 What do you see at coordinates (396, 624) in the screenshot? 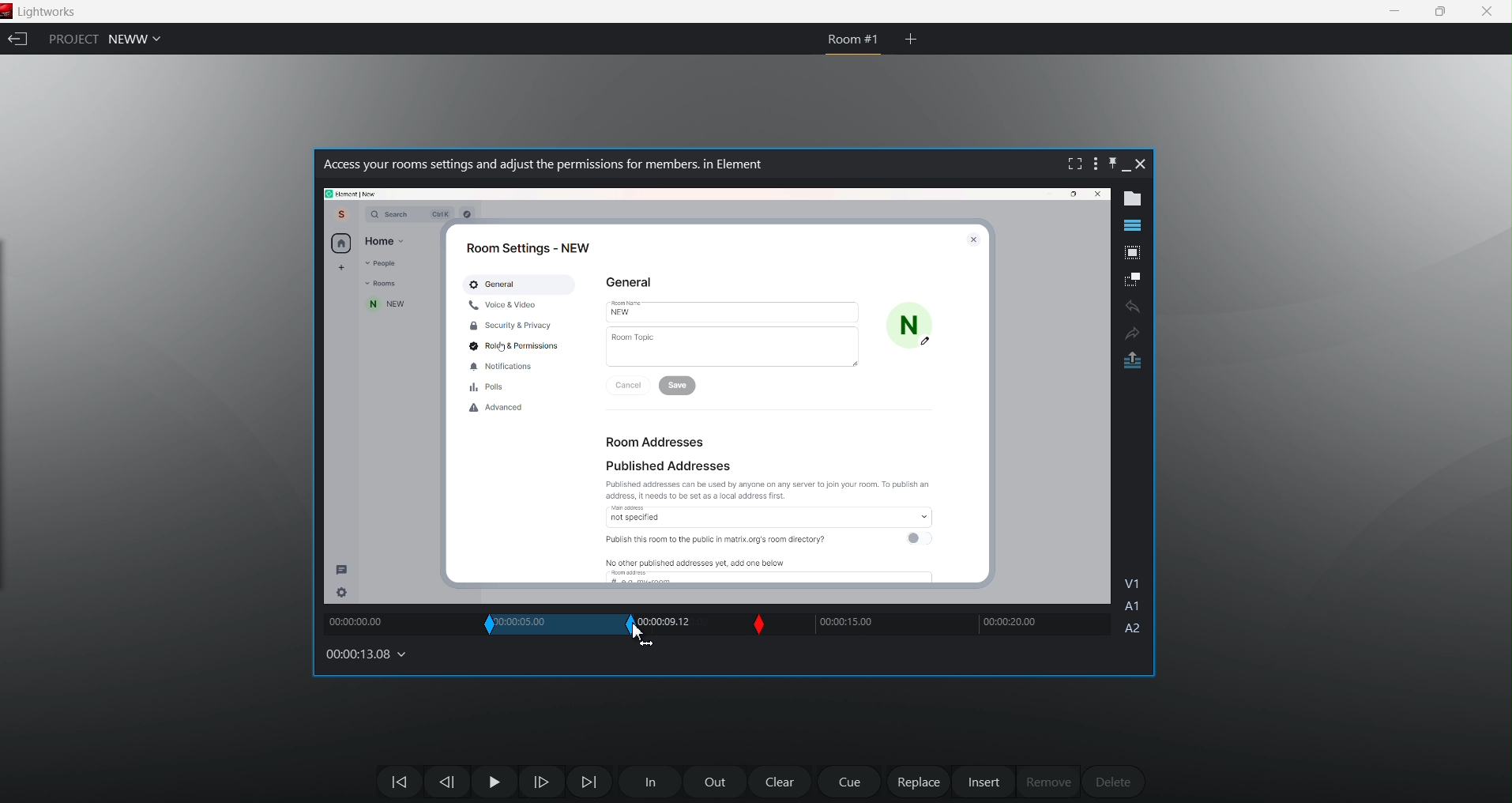
I see `track` at bounding box center [396, 624].